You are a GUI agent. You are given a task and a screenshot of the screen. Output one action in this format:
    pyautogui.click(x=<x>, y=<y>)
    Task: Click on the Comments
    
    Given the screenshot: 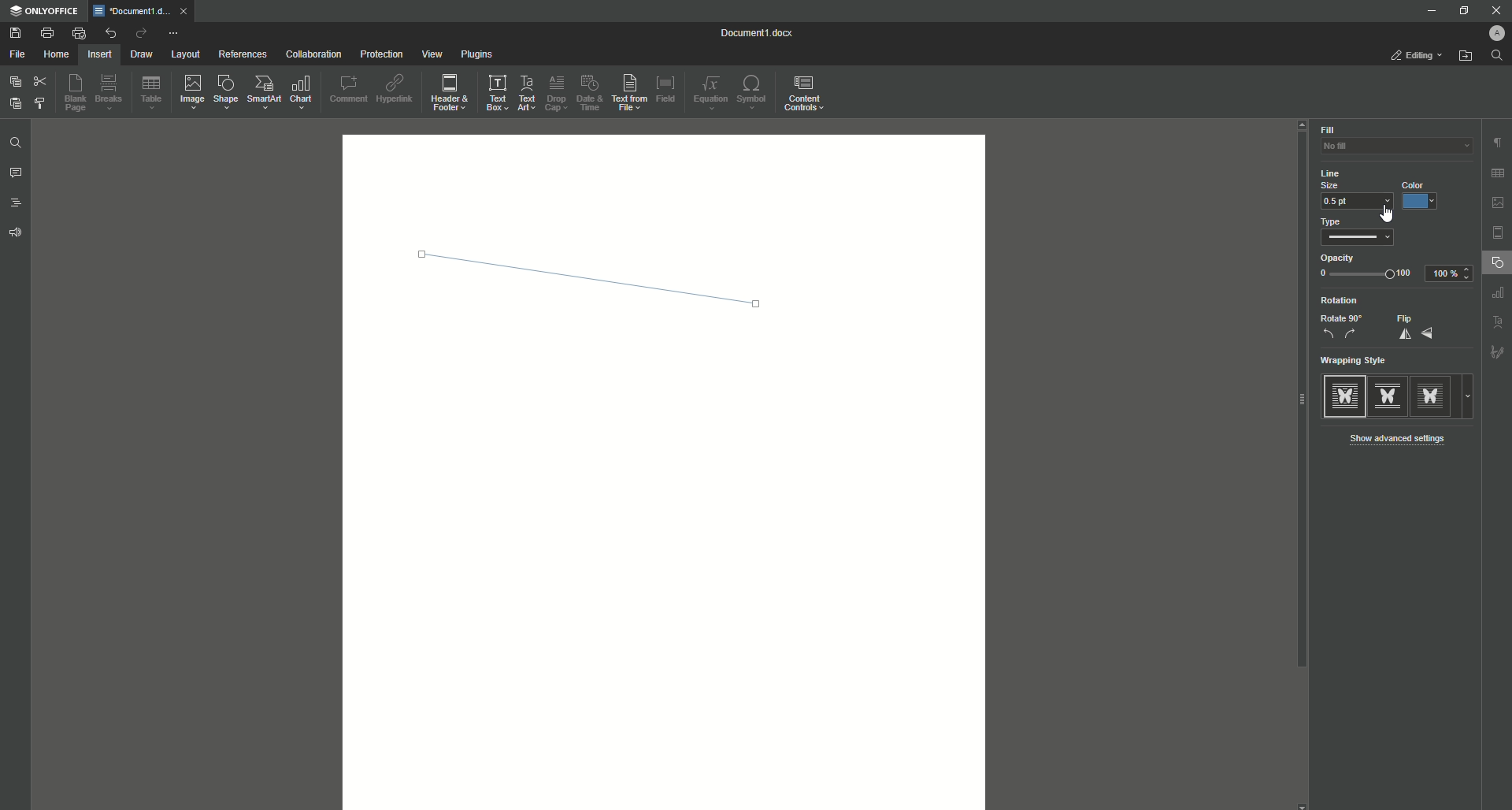 What is the action you would take?
    pyautogui.click(x=16, y=175)
    